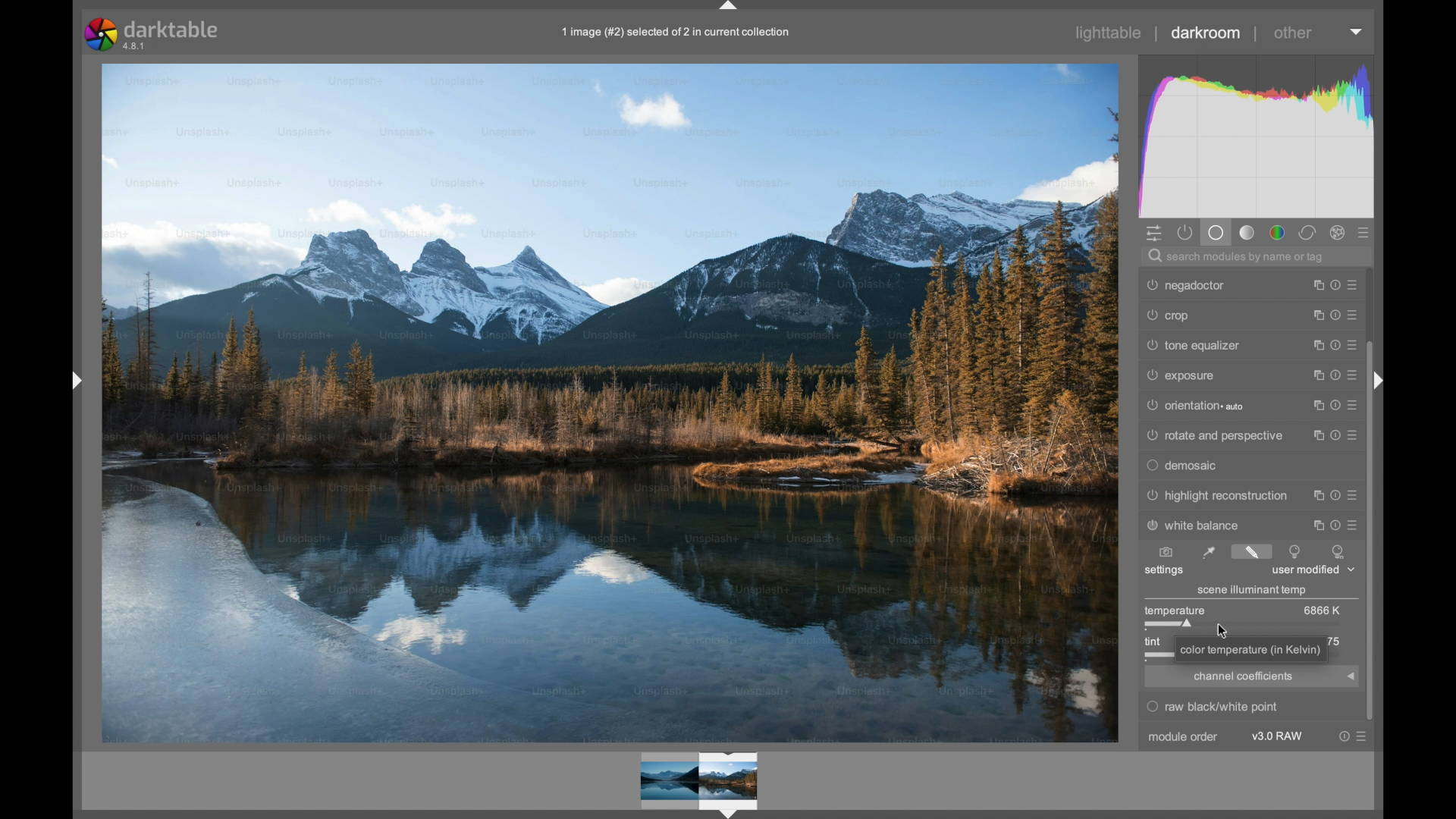 Image resolution: width=1456 pixels, height=819 pixels. What do you see at coordinates (1357, 491) in the screenshot?
I see `presets` at bounding box center [1357, 491].